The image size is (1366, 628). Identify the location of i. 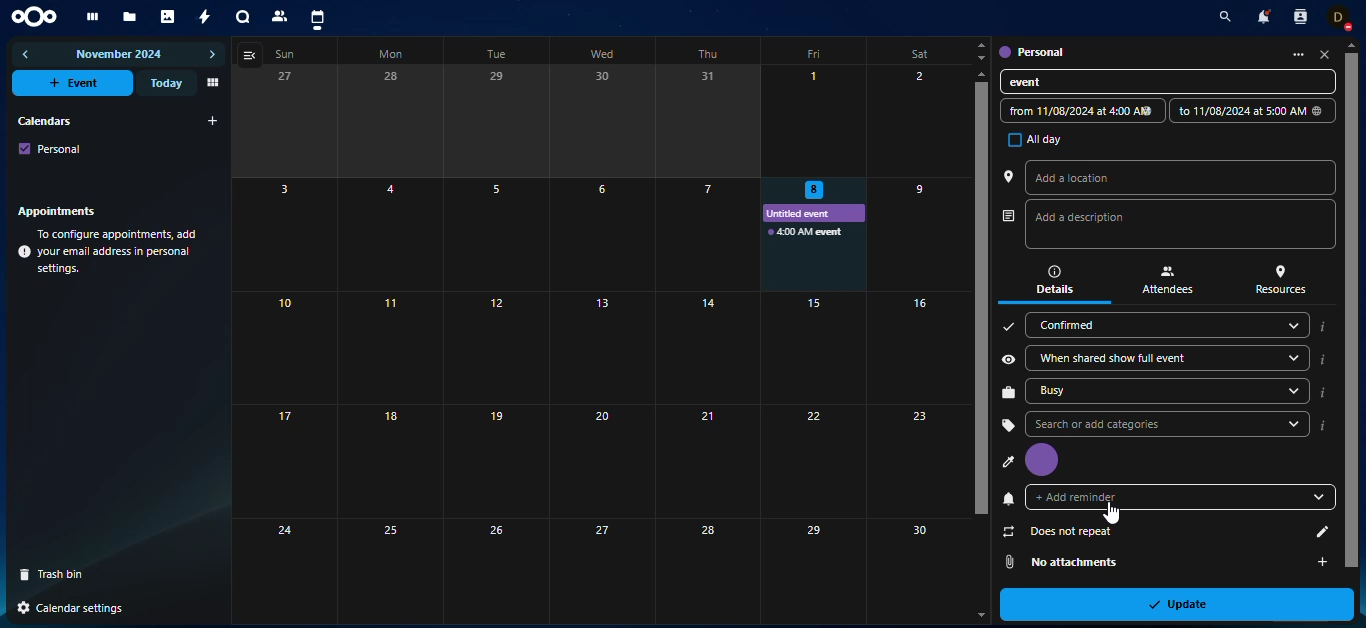
(1323, 360).